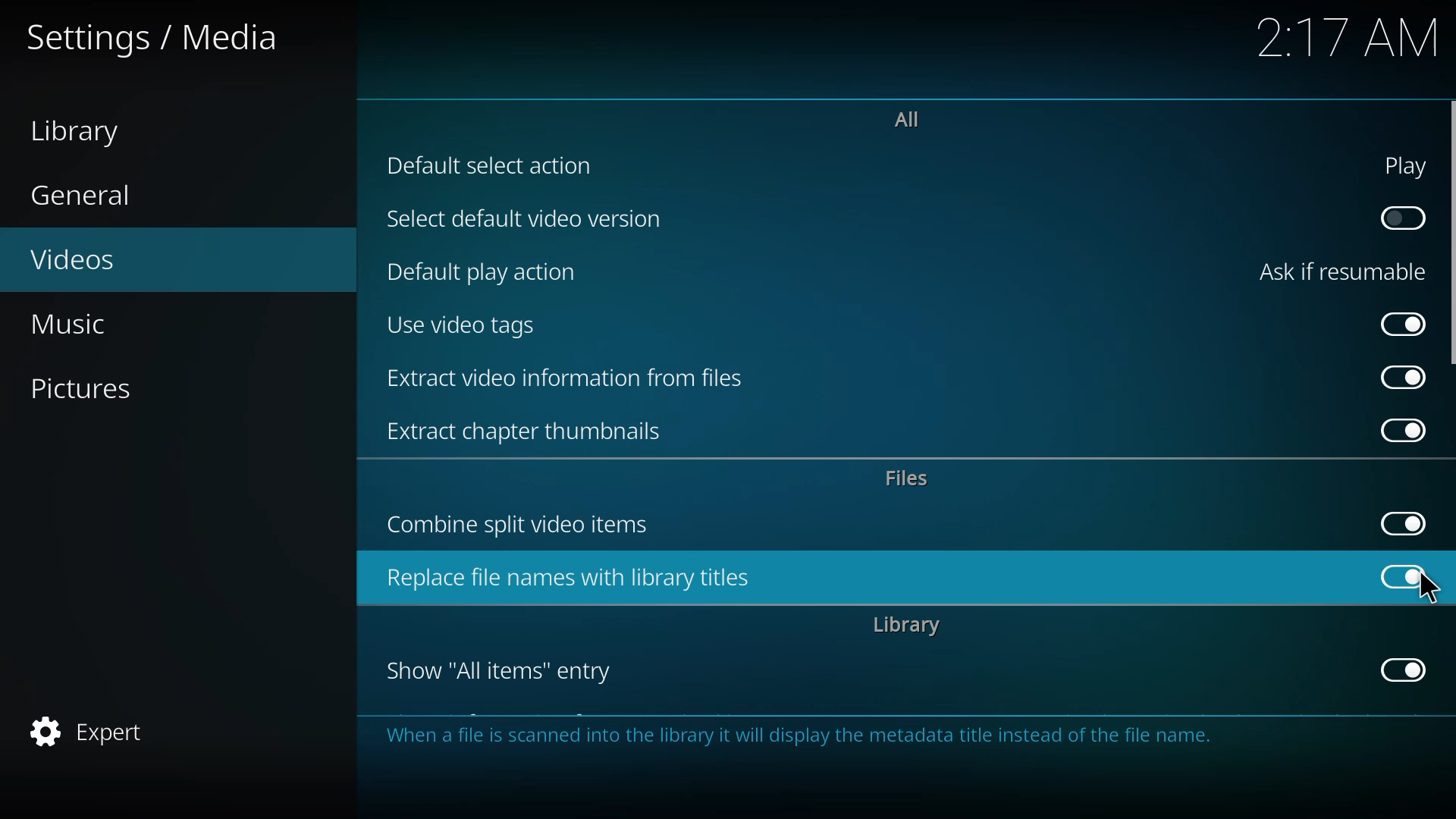 This screenshot has width=1456, height=819. I want to click on replace file names with library titles, so click(576, 580).